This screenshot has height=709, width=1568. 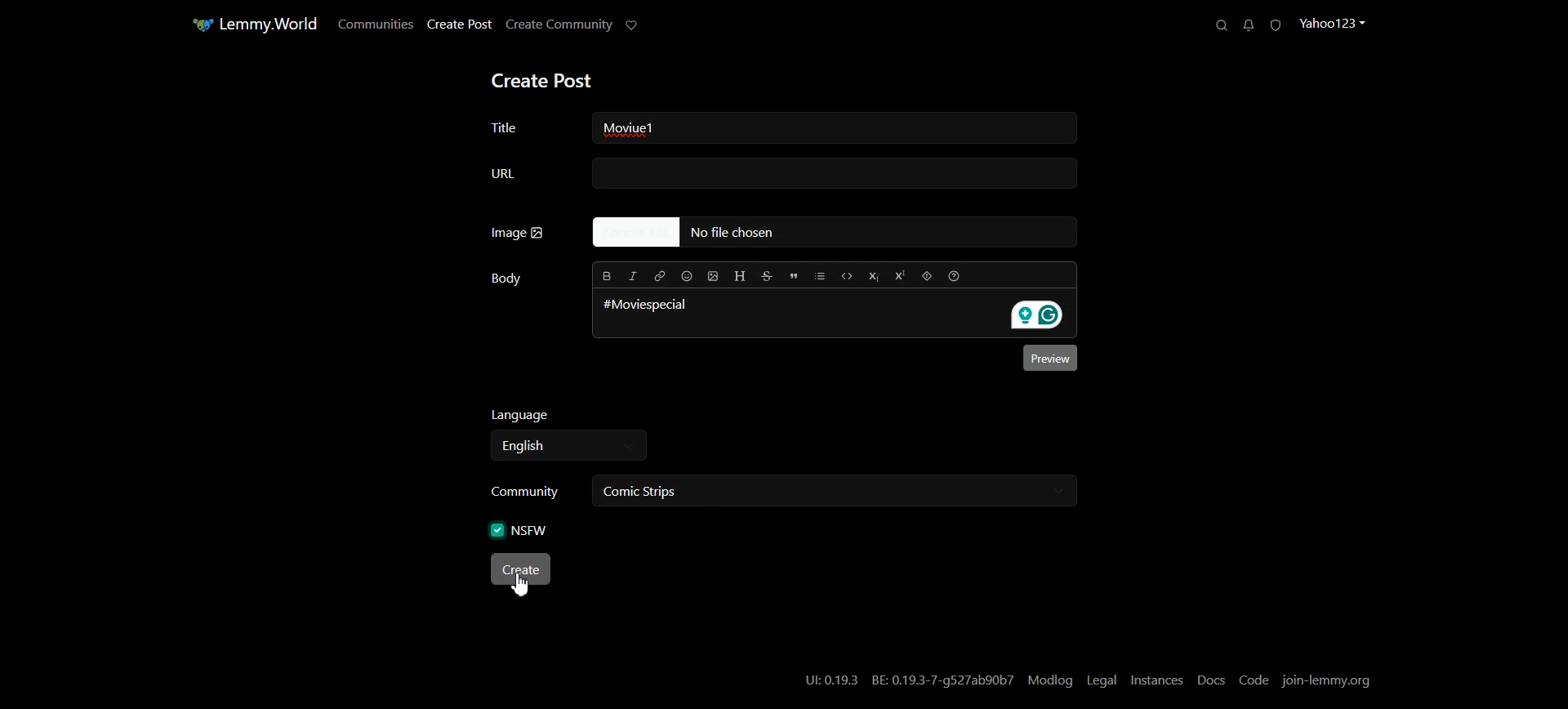 I want to click on Create Community, so click(x=559, y=25).